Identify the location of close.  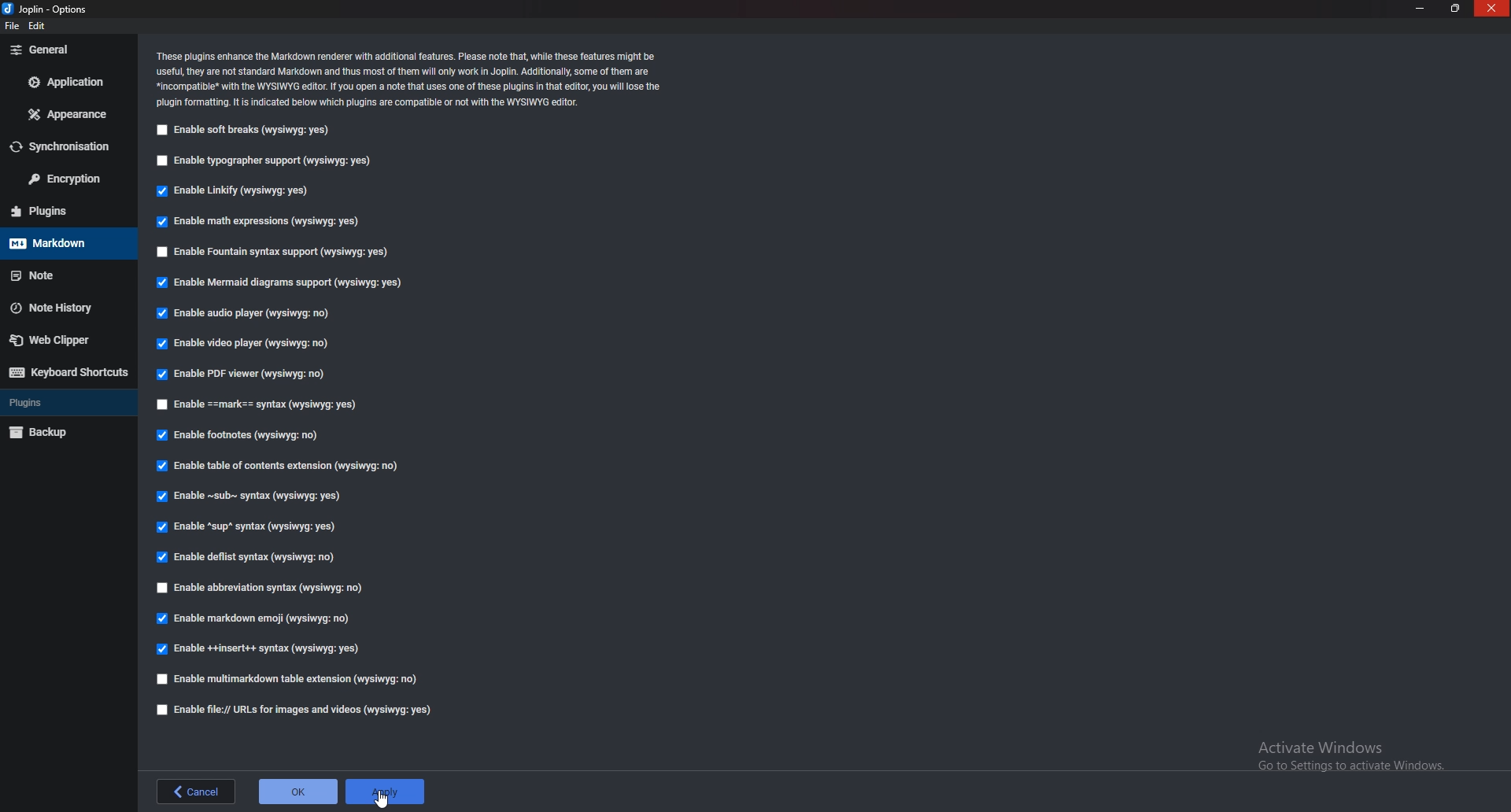
(1492, 9).